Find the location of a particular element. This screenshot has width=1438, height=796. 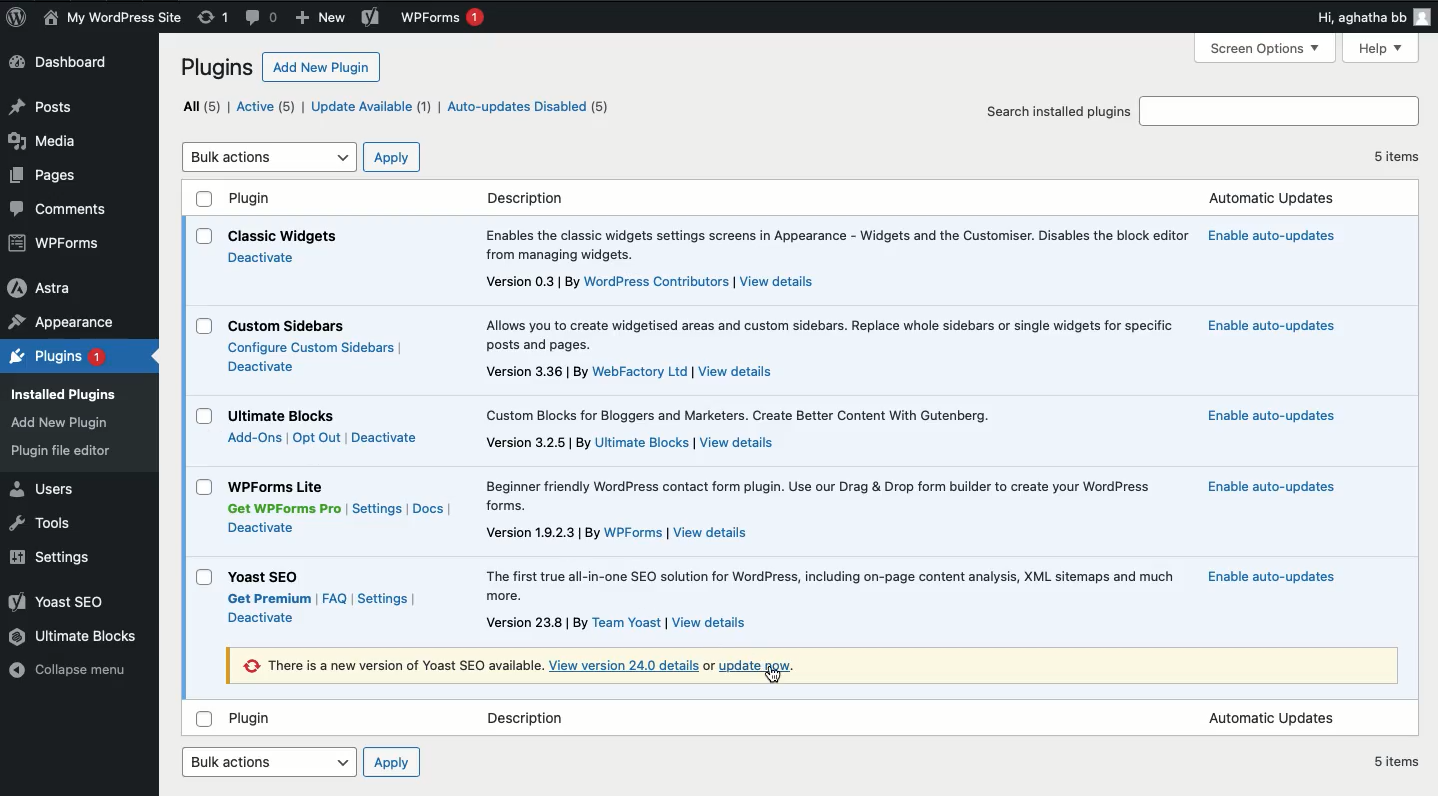

Deactive is located at coordinates (387, 436).